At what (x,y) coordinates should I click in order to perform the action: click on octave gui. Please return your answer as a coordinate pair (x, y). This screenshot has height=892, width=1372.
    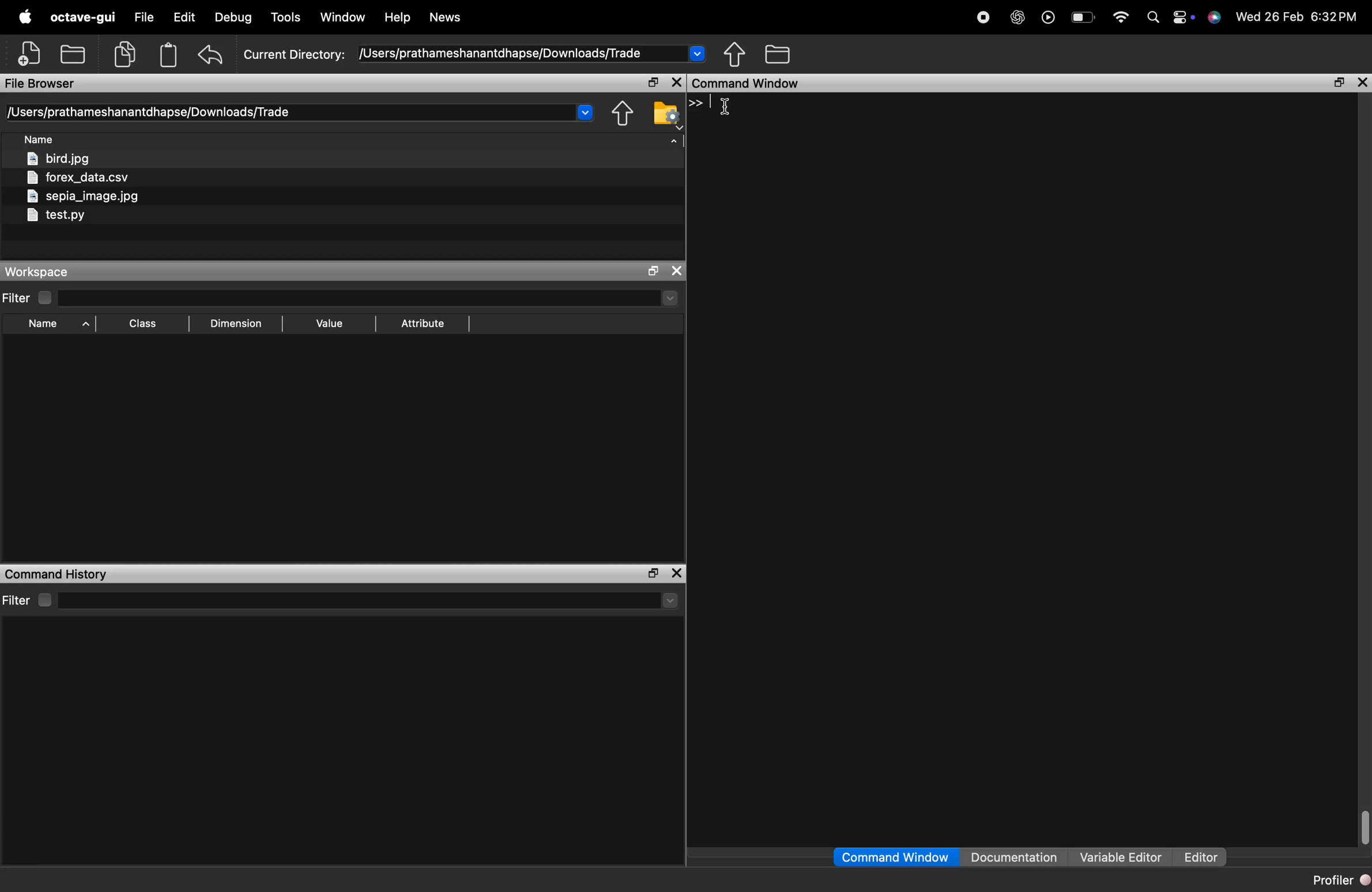
    Looking at the image, I should click on (82, 17).